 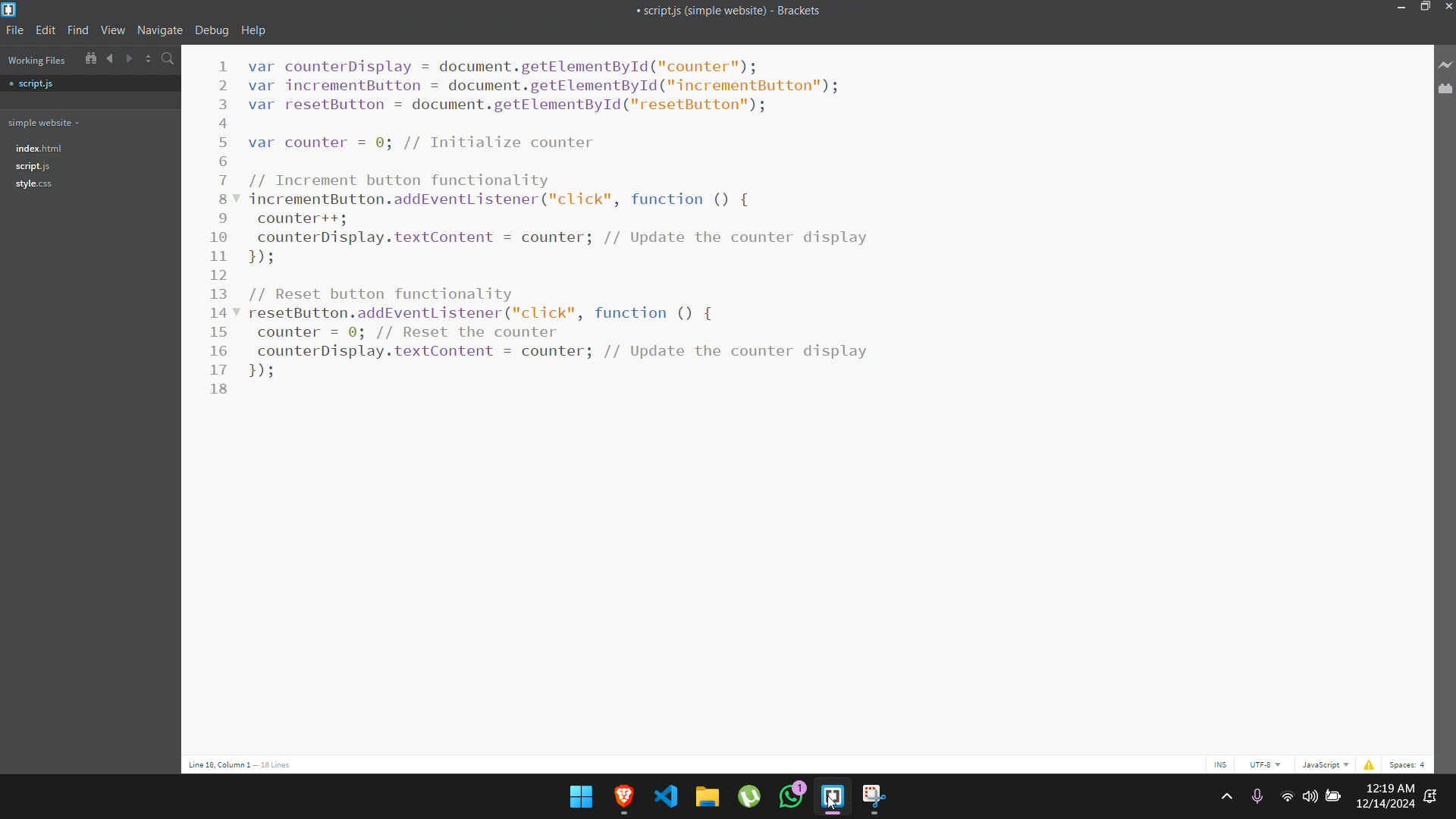 I want to click on live preview, so click(x=1446, y=67).